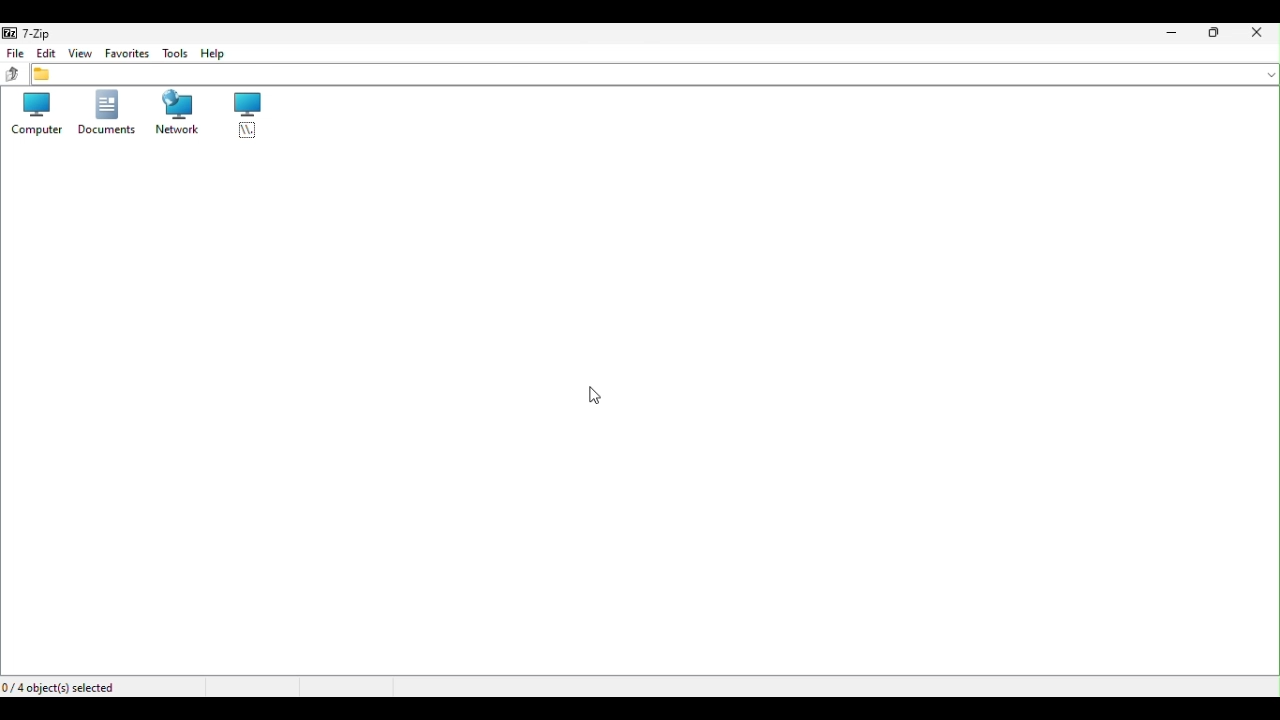 The image size is (1280, 720). What do you see at coordinates (173, 53) in the screenshot?
I see `tools` at bounding box center [173, 53].